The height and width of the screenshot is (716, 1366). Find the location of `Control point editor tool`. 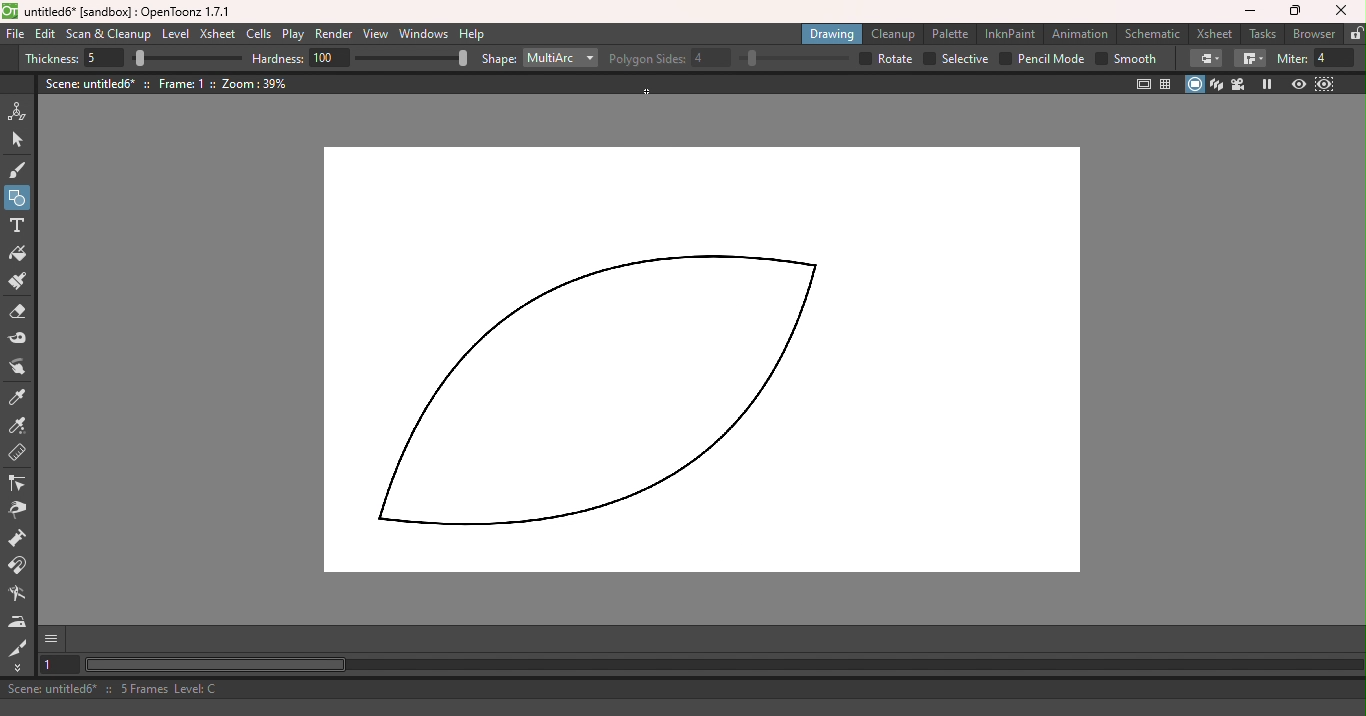

Control point editor tool is located at coordinates (21, 485).